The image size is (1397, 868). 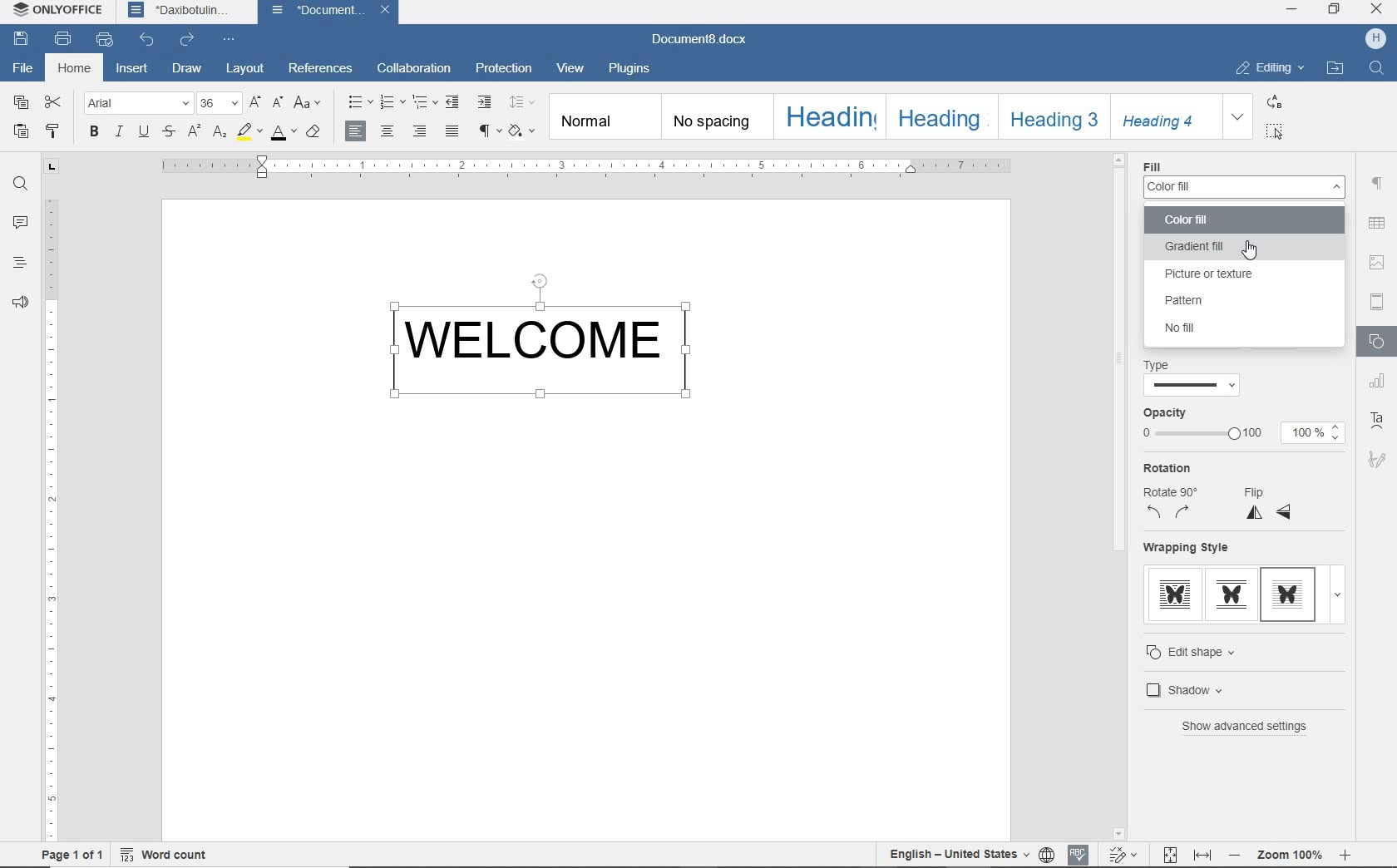 What do you see at coordinates (1241, 598) in the screenshot?
I see `wrapping style` at bounding box center [1241, 598].